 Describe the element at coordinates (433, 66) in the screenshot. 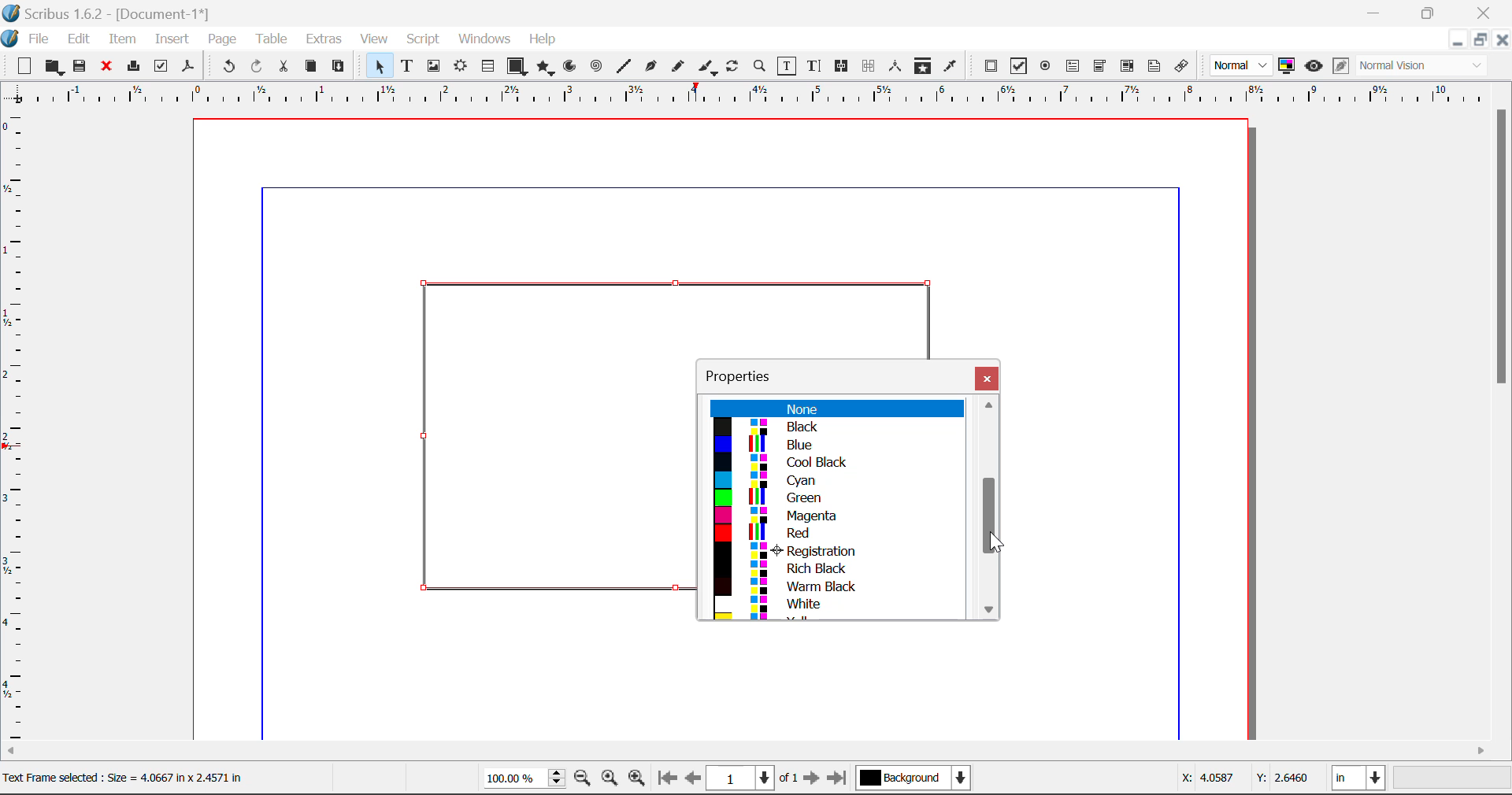

I see `Image Frame` at that location.